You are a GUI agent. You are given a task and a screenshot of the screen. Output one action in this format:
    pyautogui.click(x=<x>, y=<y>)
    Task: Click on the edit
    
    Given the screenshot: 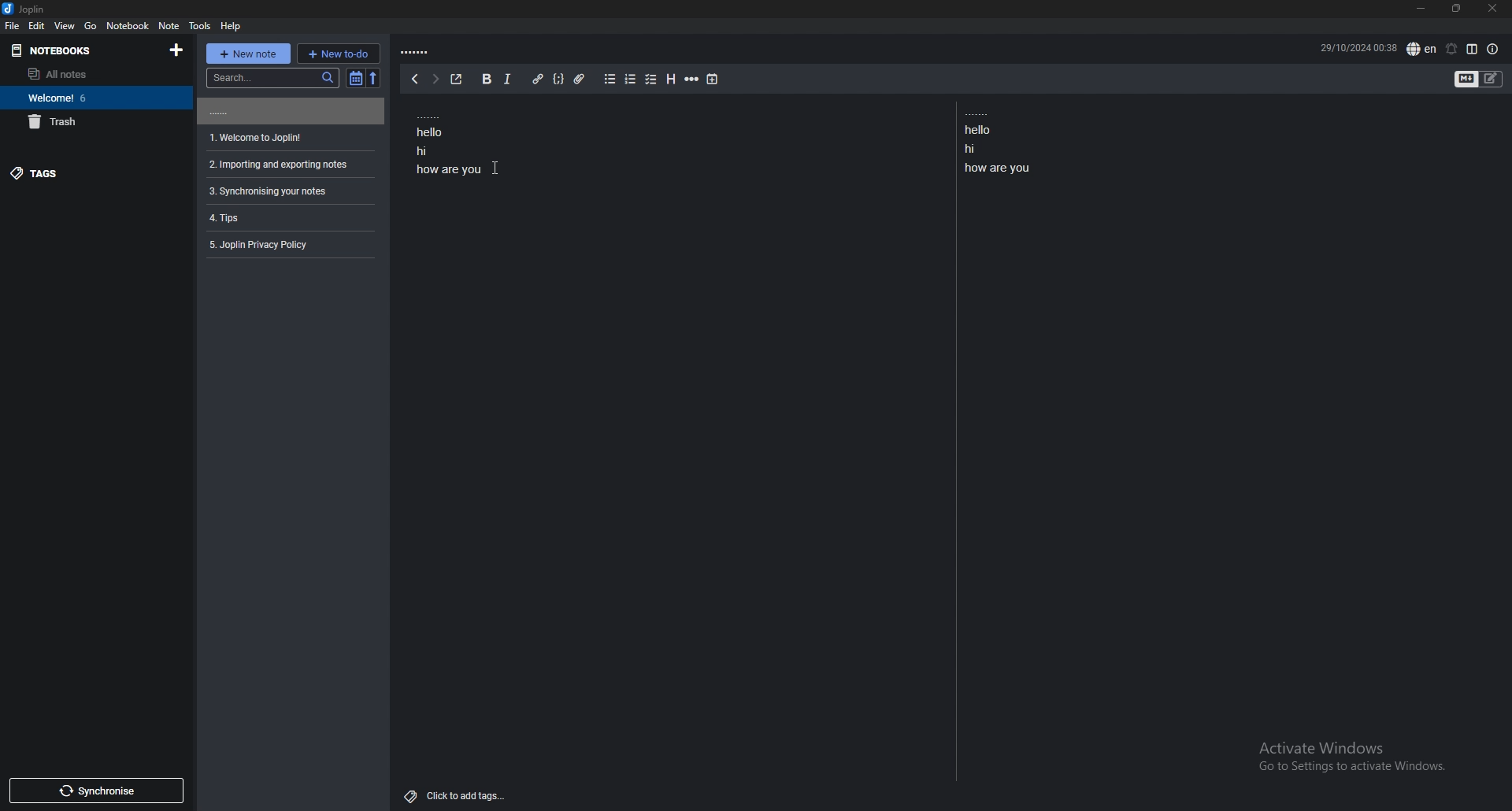 What is the action you would take?
    pyautogui.click(x=38, y=25)
    